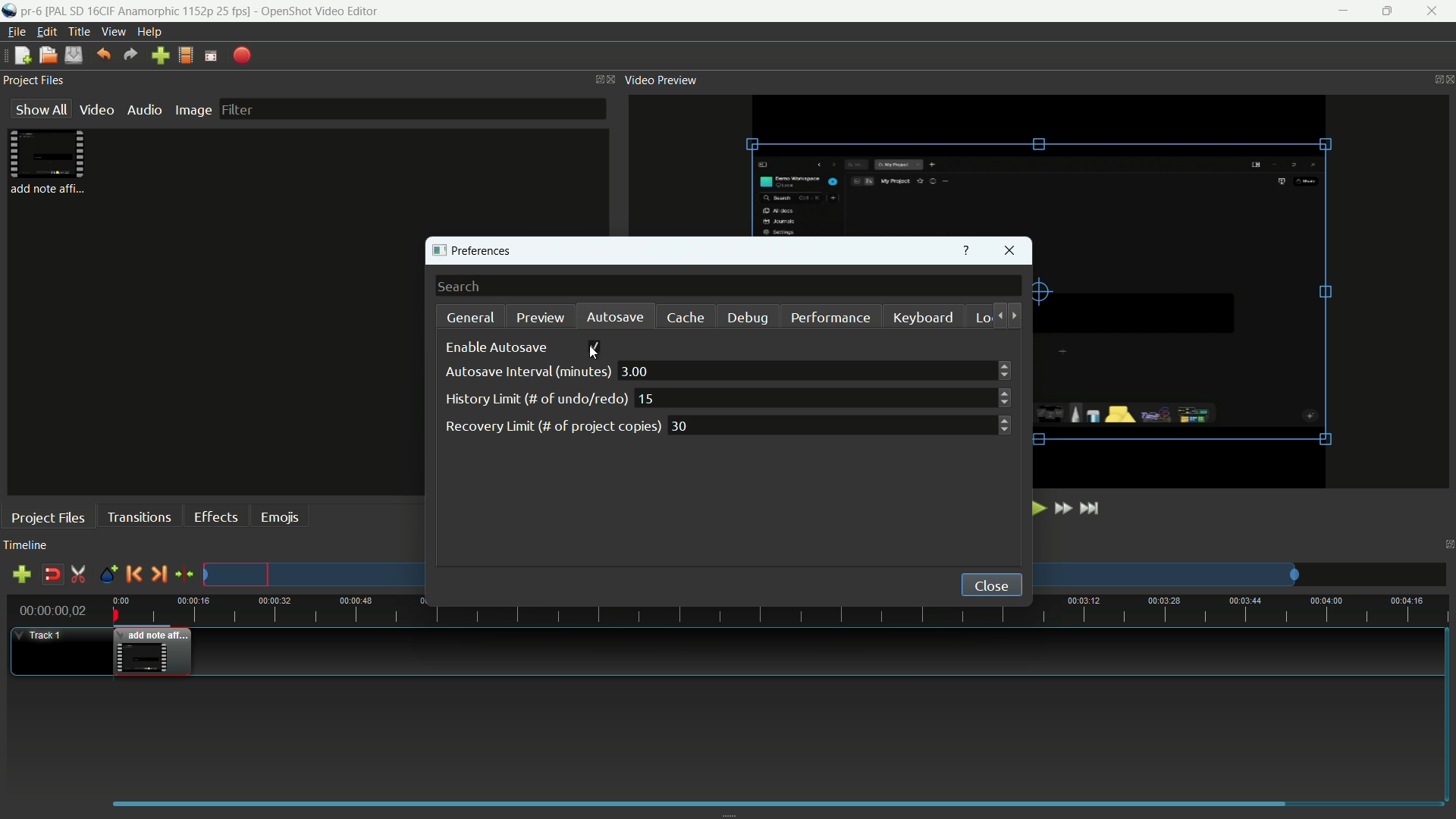  I want to click on search bar, so click(729, 285).